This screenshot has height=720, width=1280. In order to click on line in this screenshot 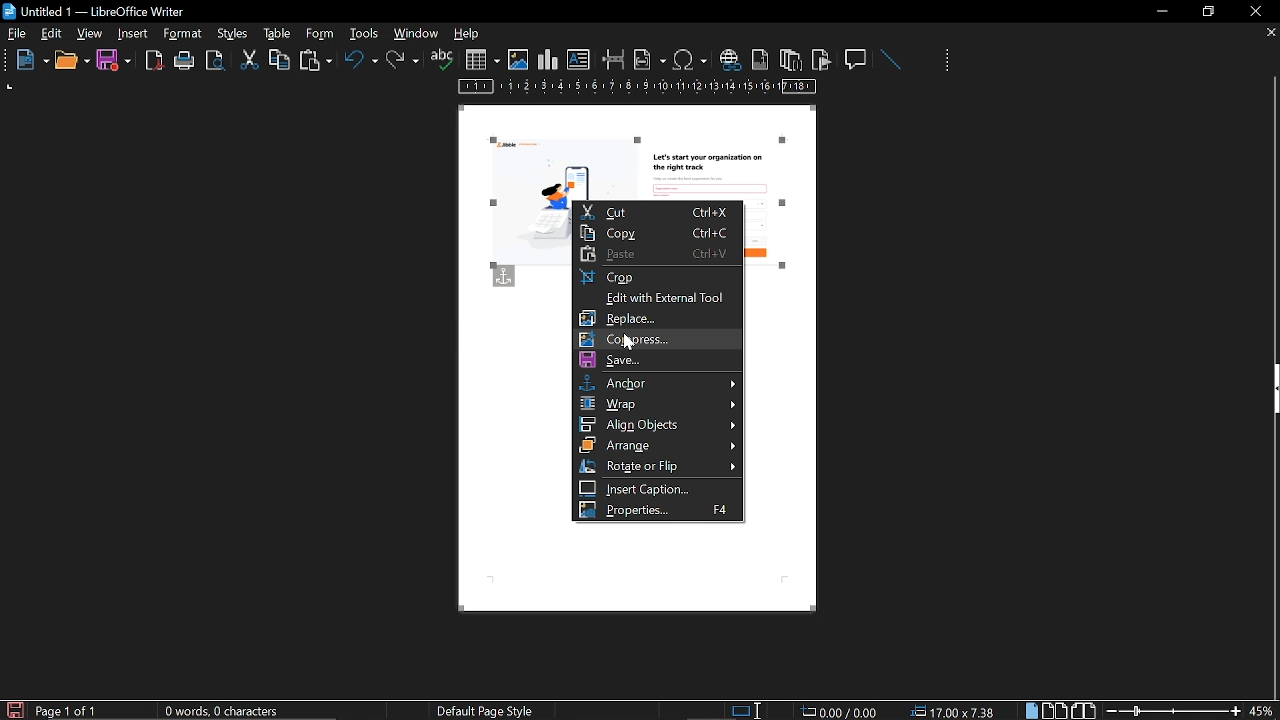, I will do `click(890, 60)`.